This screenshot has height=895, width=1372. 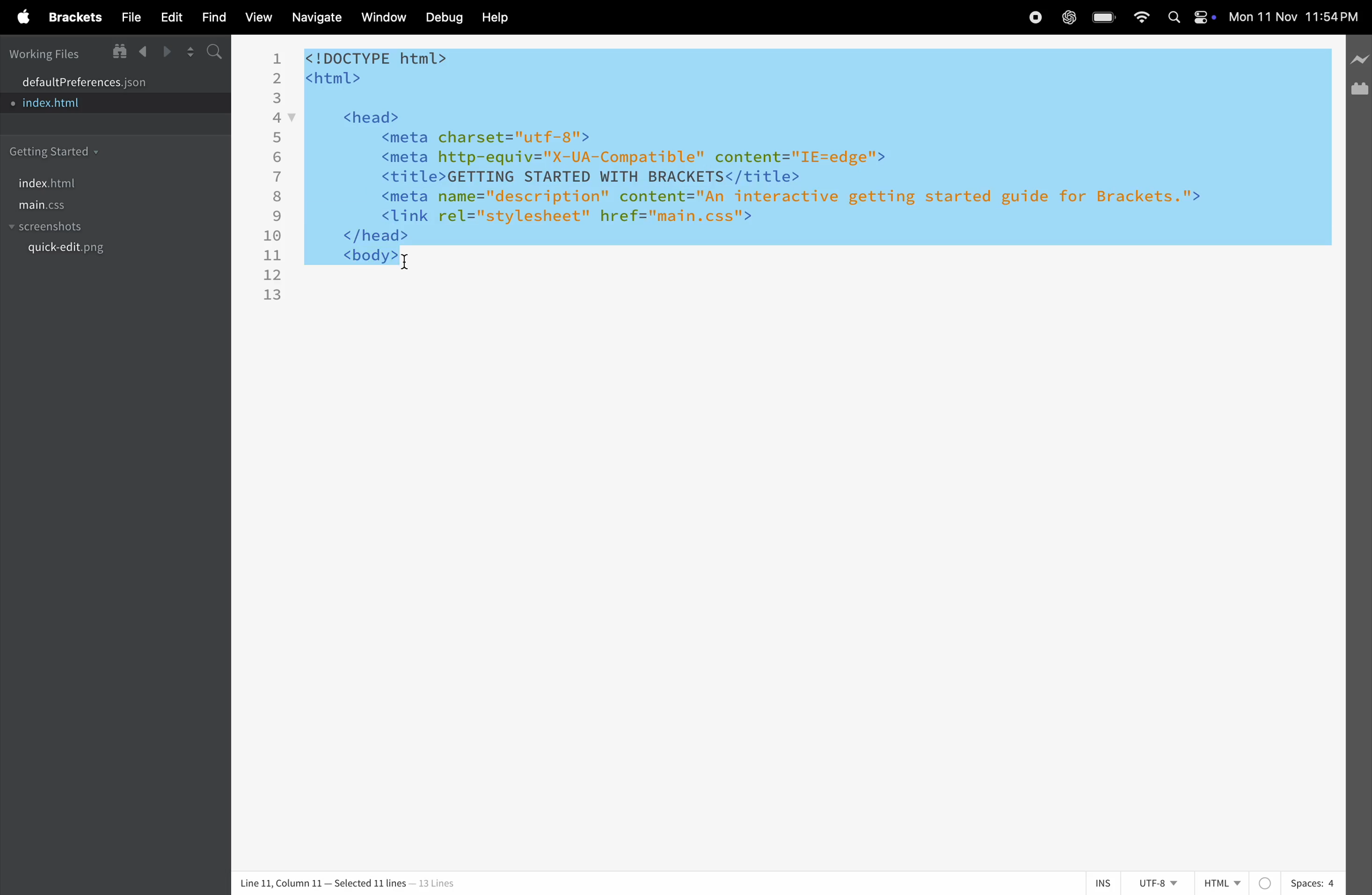 What do you see at coordinates (273, 276) in the screenshot?
I see `12` at bounding box center [273, 276].